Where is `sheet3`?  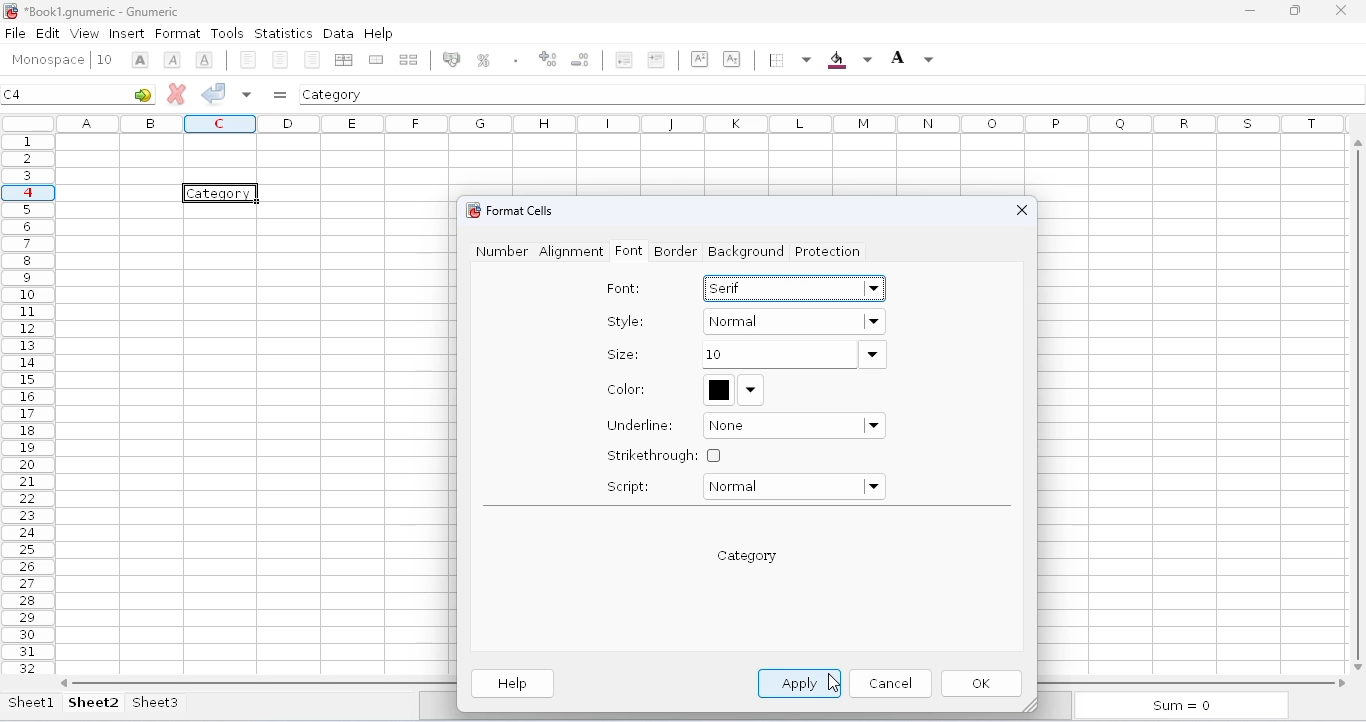 sheet3 is located at coordinates (155, 702).